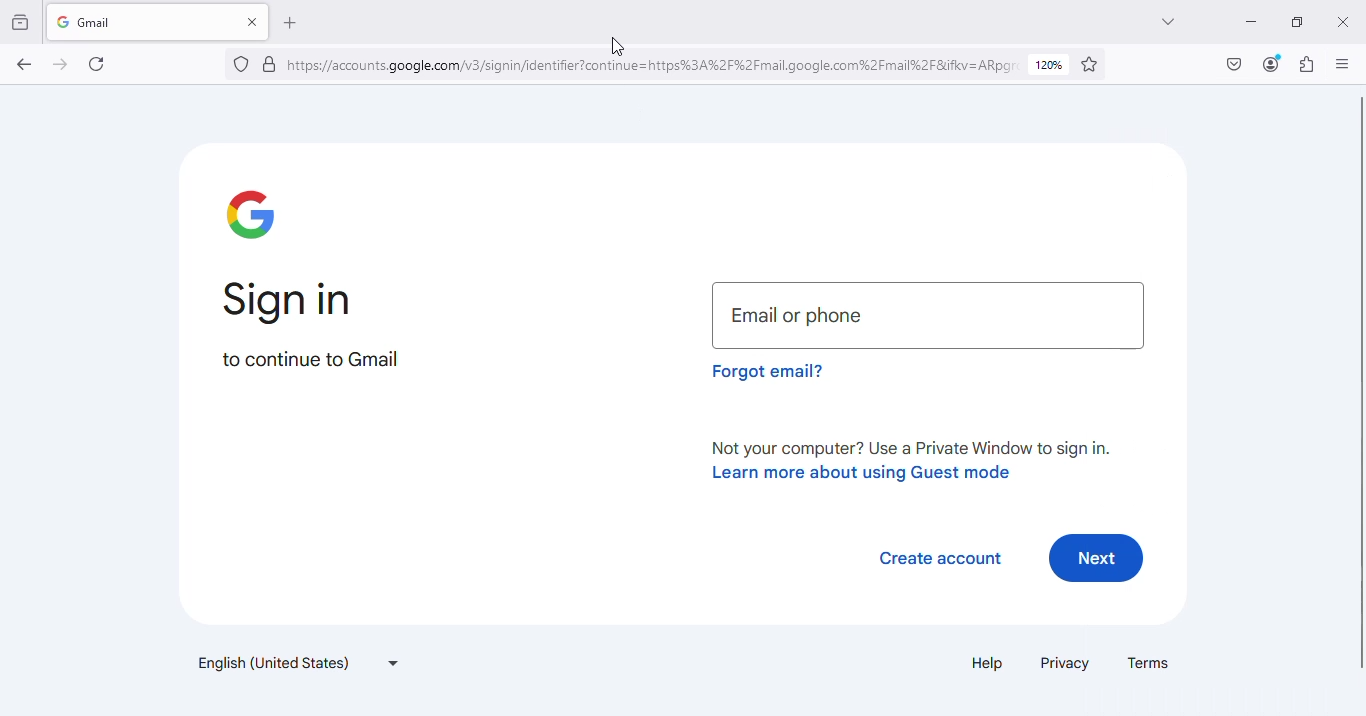 Image resolution: width=1366 pixels, height=716 pixels. What do you see at coordinates (768, 371) in the screenshot?
I see `forgot email?` at bounding box center [768, 371].